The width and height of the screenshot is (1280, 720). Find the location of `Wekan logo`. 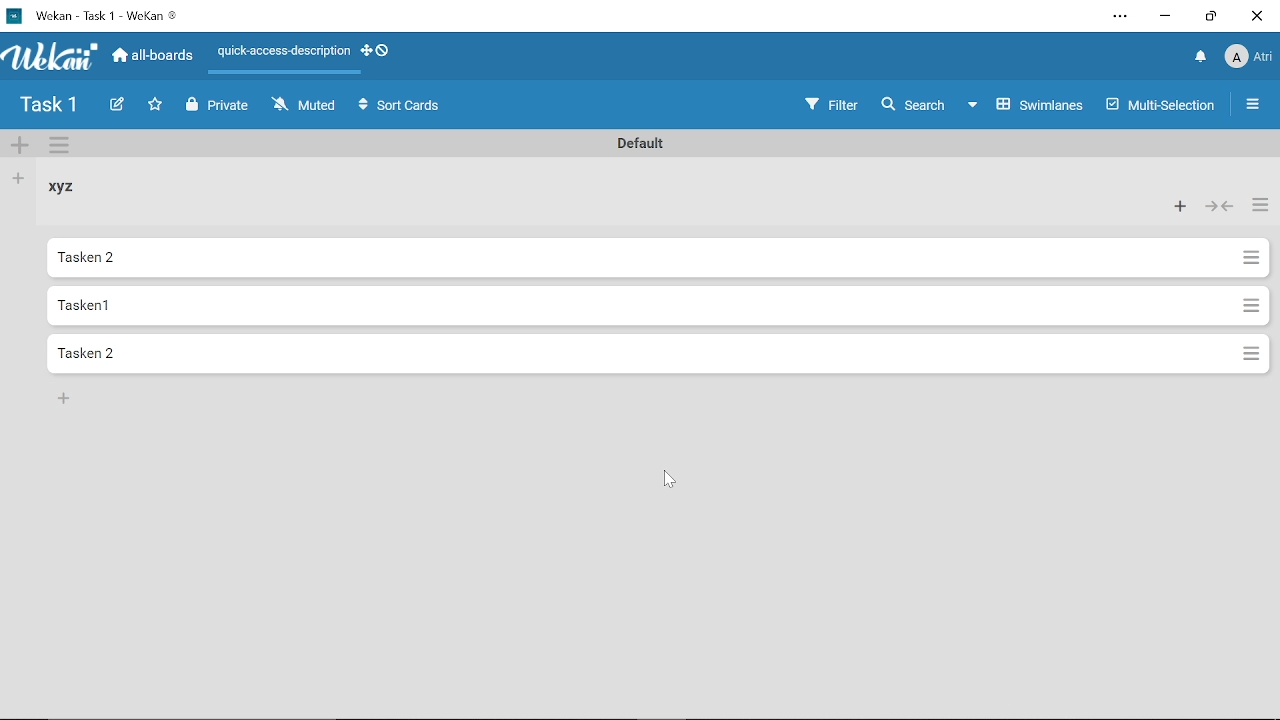

Wekan logo is located at coordinates (52, 58).